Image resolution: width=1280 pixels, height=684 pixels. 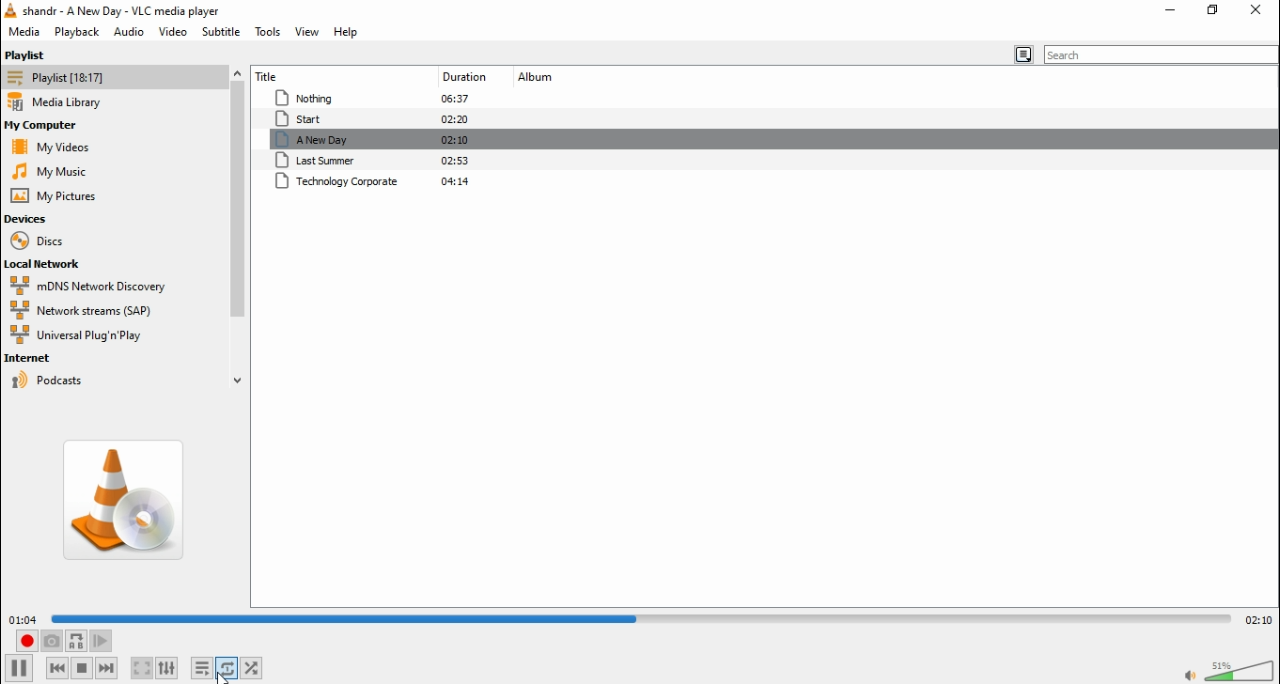 What do you see at coordinates (267, 31) in the screenshot?
I see `tools` at bounding box center [267, 31].